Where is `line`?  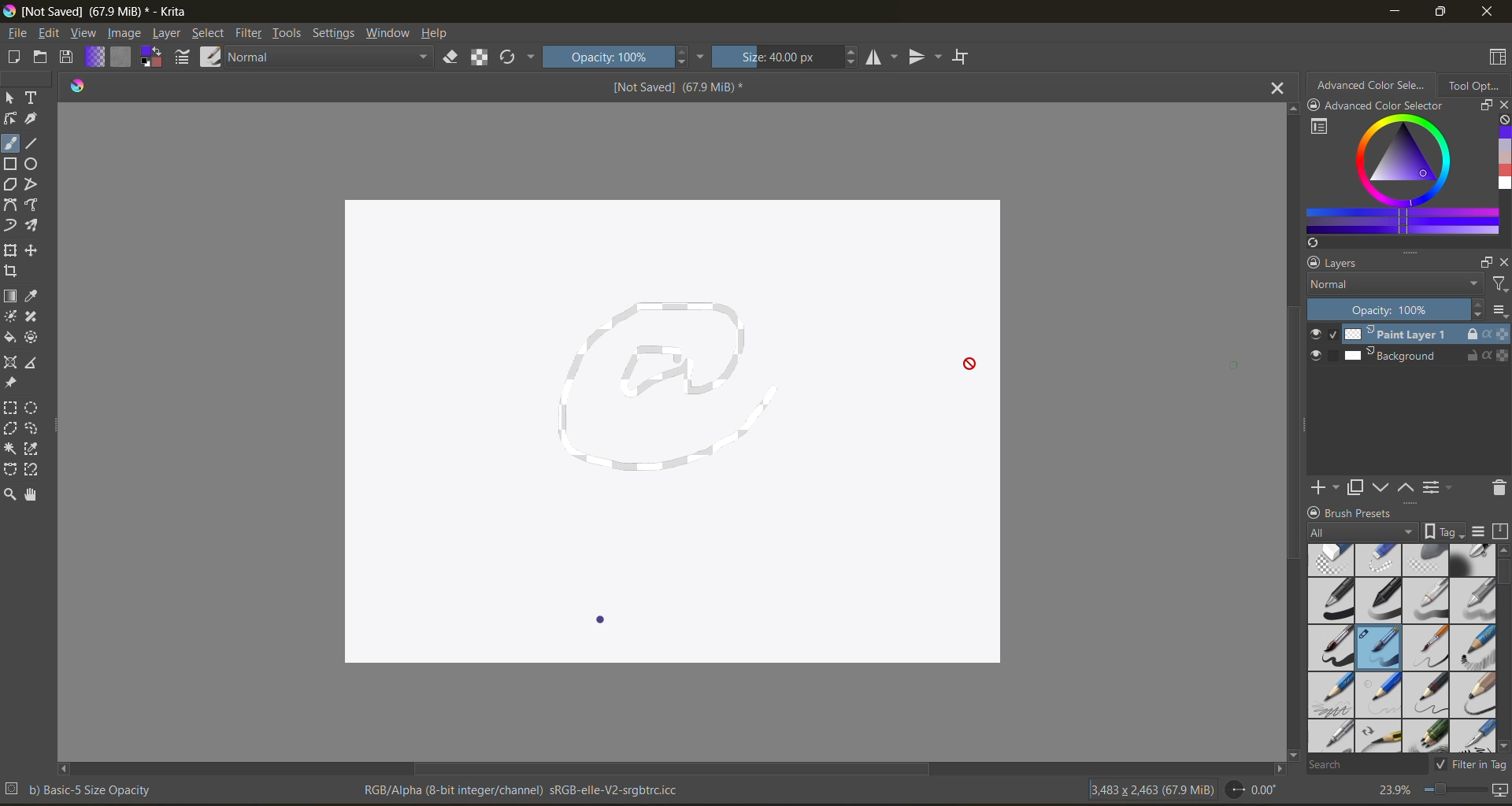
line is located at coordinates (33, 142).